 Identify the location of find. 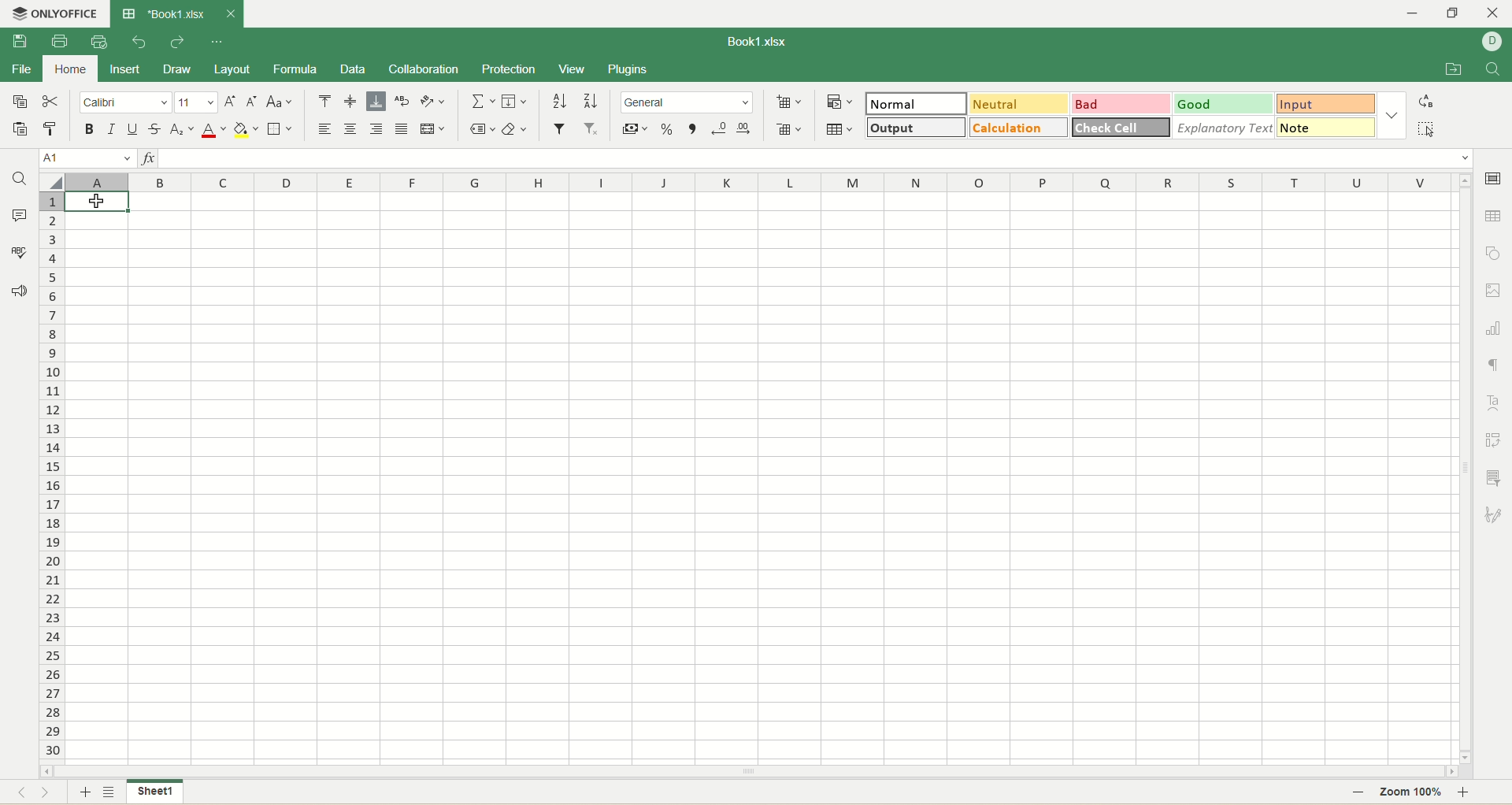
(1494, 68).